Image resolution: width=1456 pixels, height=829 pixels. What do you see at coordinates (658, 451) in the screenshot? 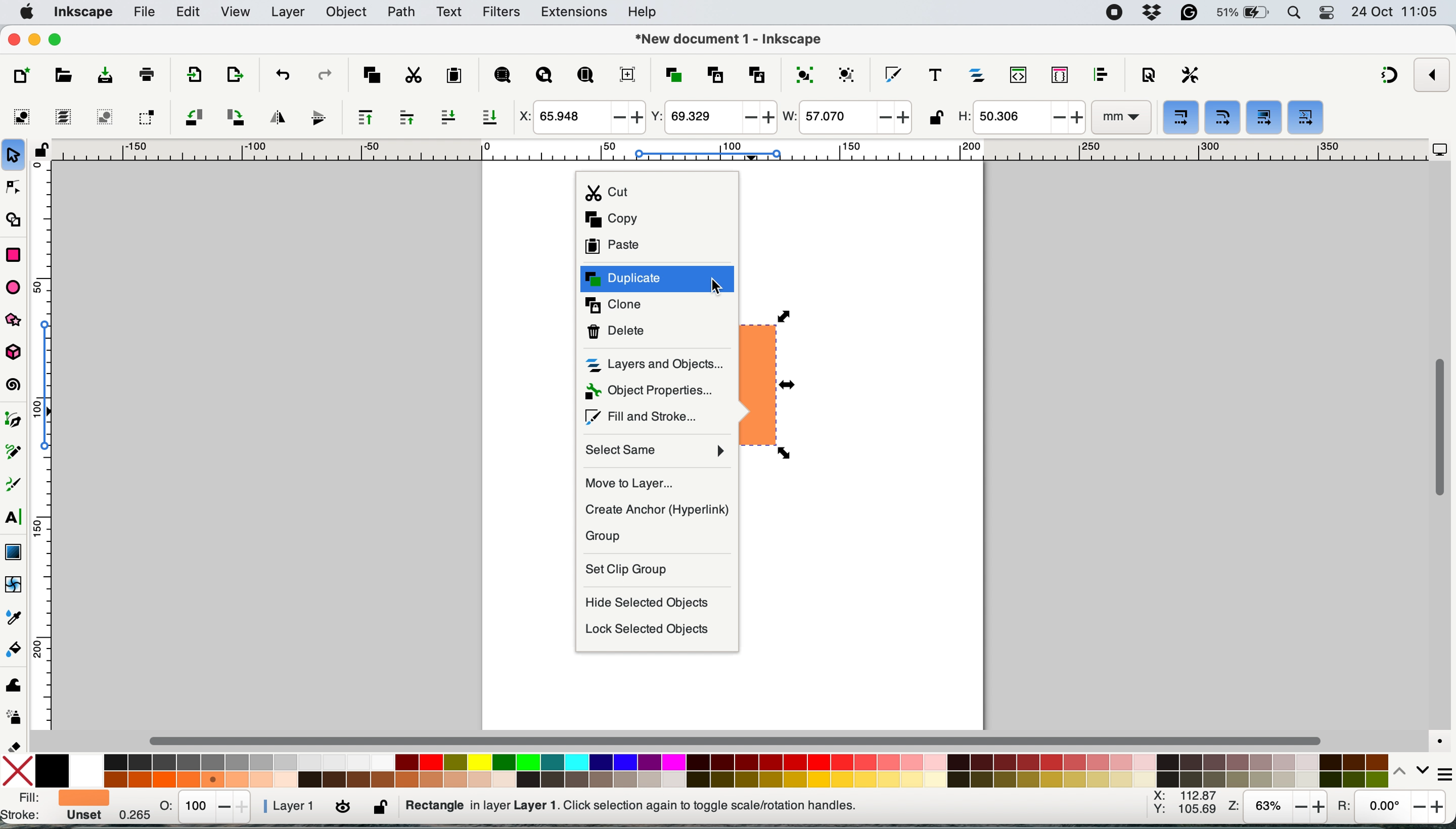
I see `select same` at bounding box center [658, 451].